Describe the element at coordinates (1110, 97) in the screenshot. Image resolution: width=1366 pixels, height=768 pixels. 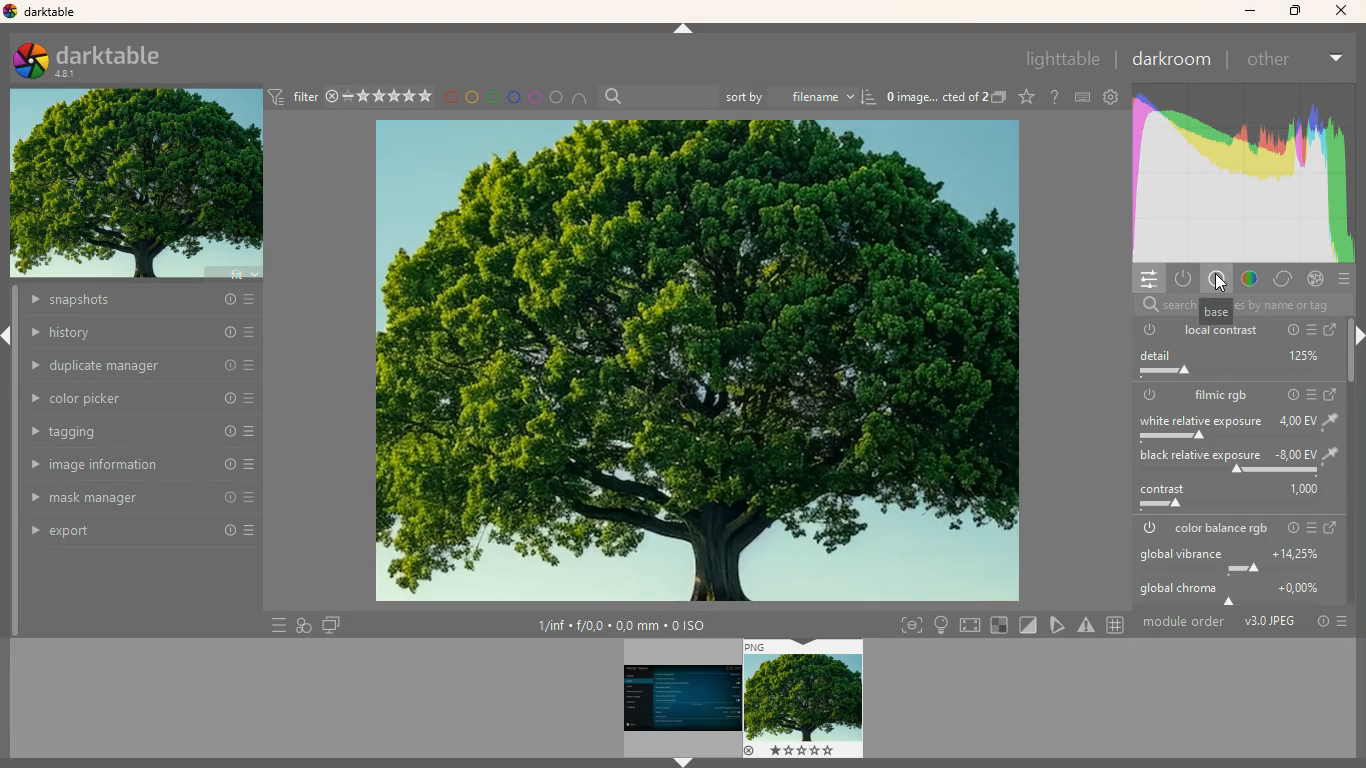
I see `settings` at that location.